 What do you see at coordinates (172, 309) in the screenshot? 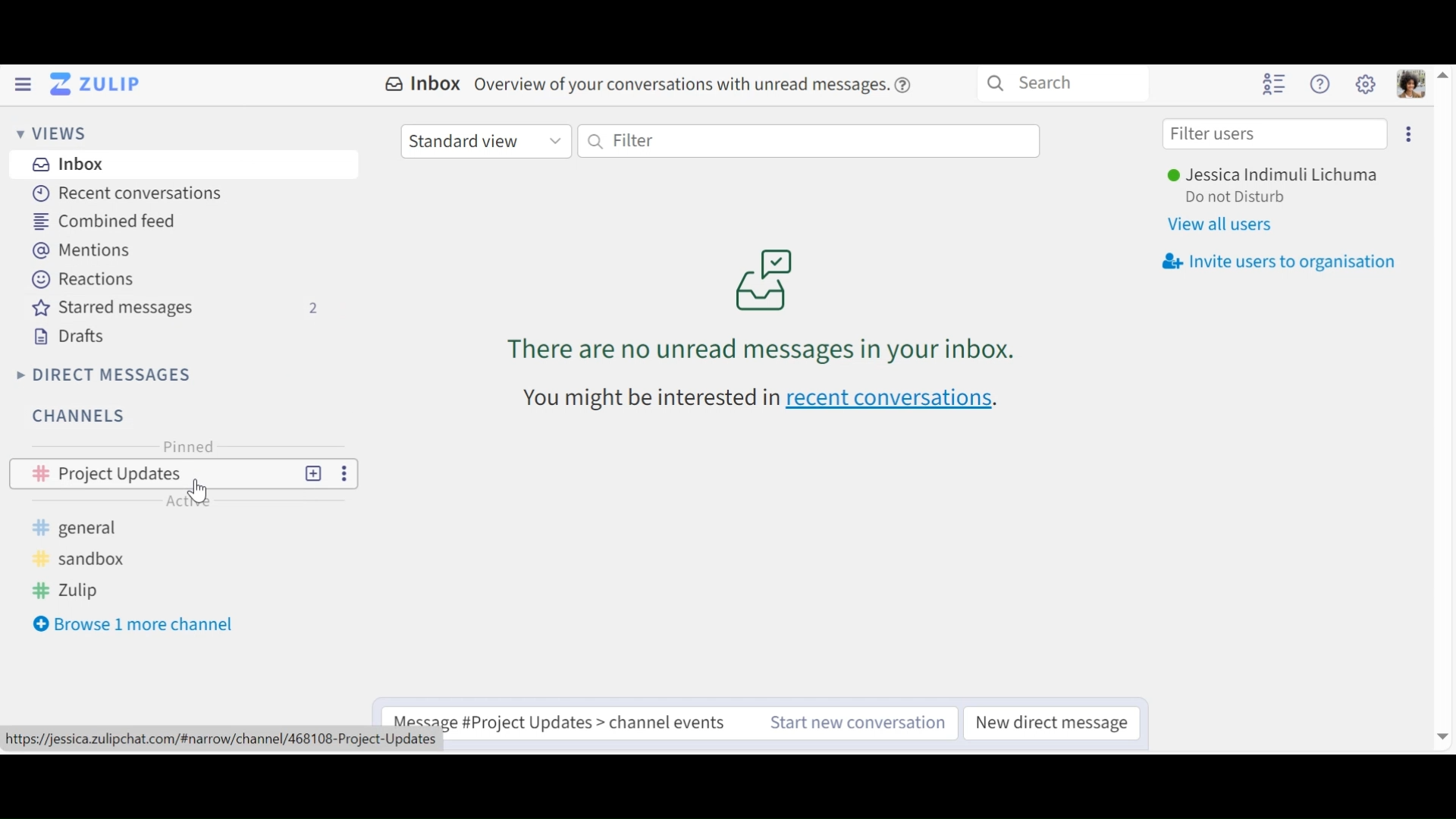
I see `Starred messages` at bounding box center [172, 309].